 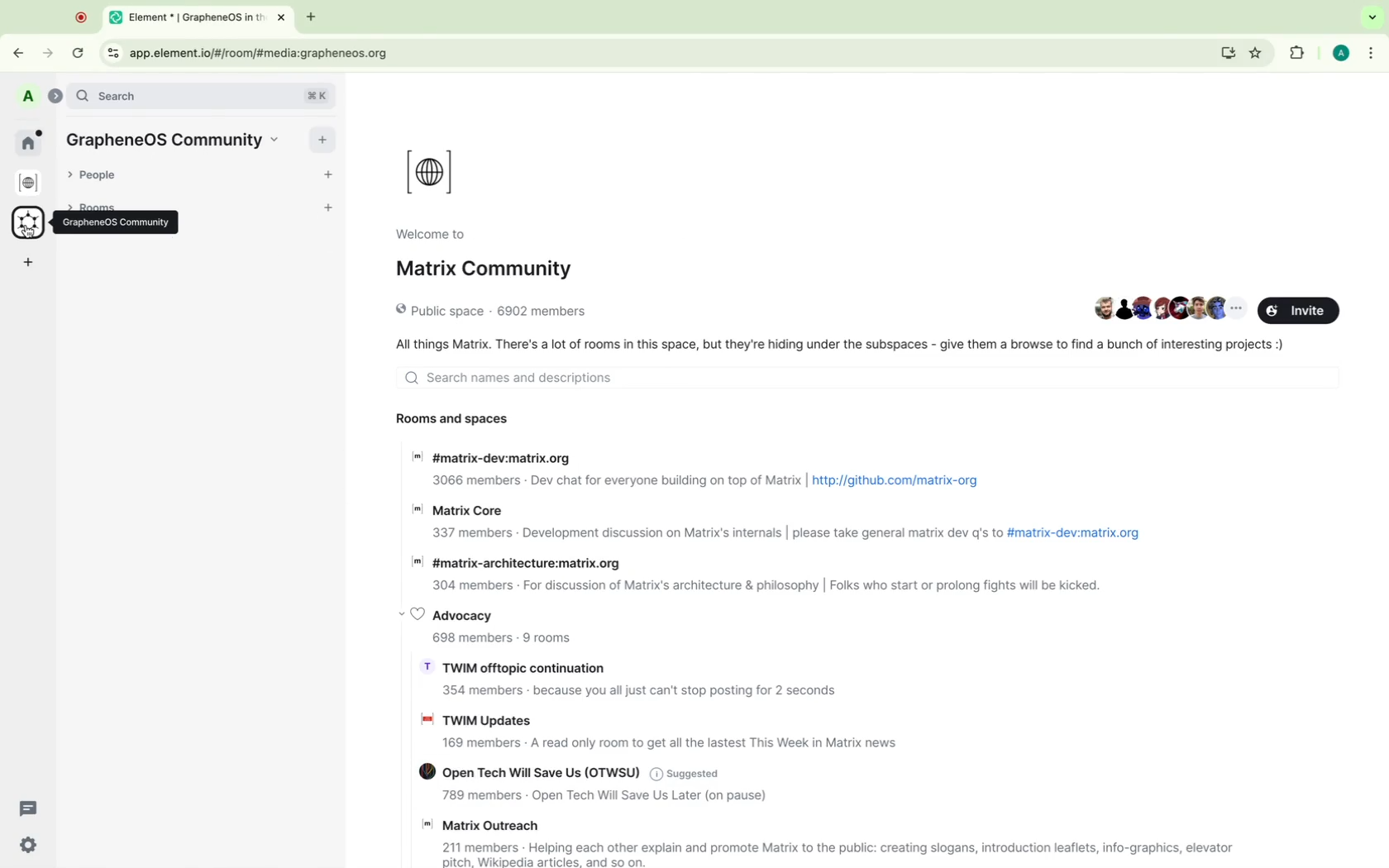 What do you see at coordinates (432, 169) in the screenshot?
I see `community profile picture` at bounding box center [432, 169].